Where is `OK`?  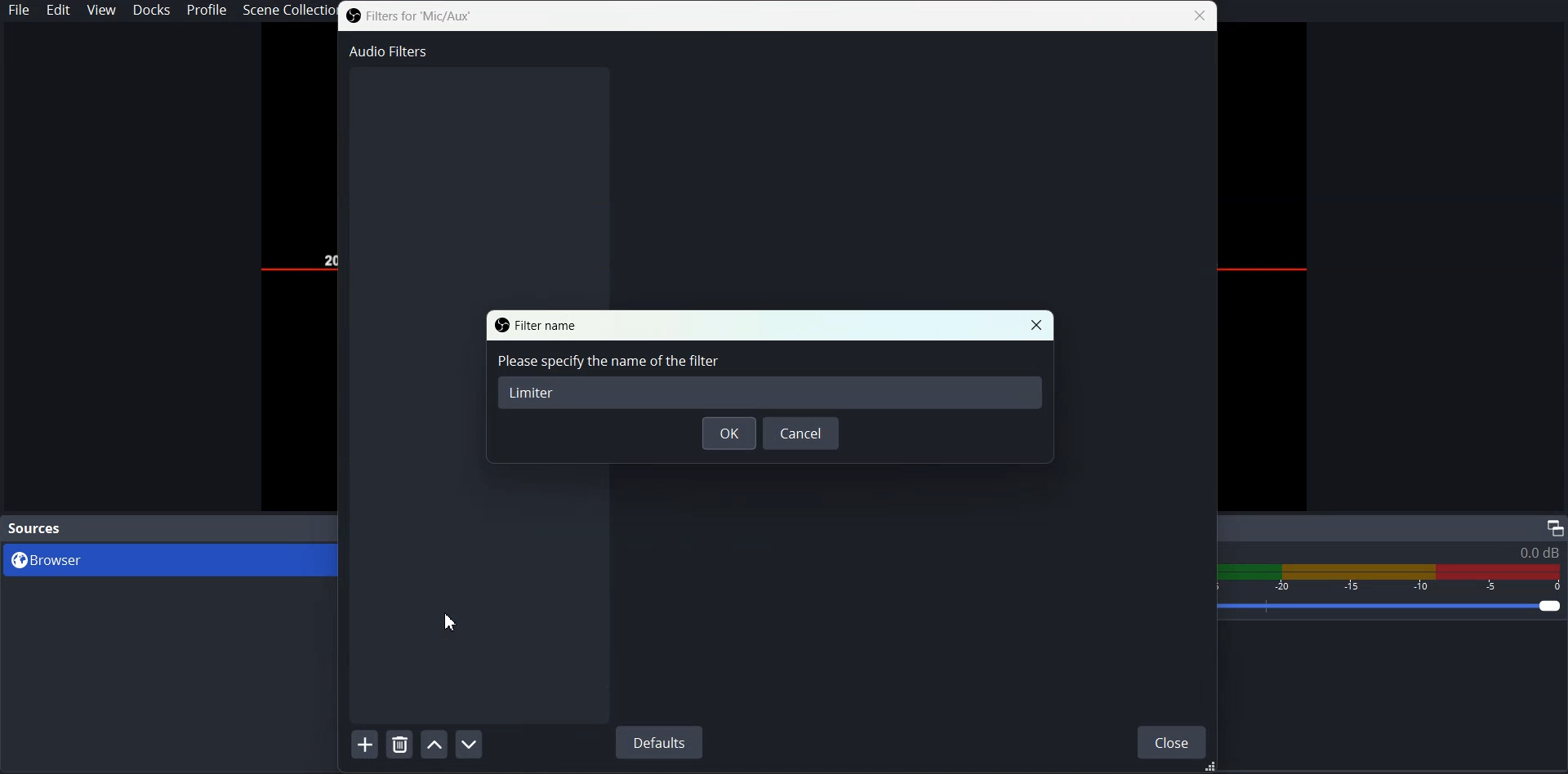 OK is located at coordinates (729, 433).